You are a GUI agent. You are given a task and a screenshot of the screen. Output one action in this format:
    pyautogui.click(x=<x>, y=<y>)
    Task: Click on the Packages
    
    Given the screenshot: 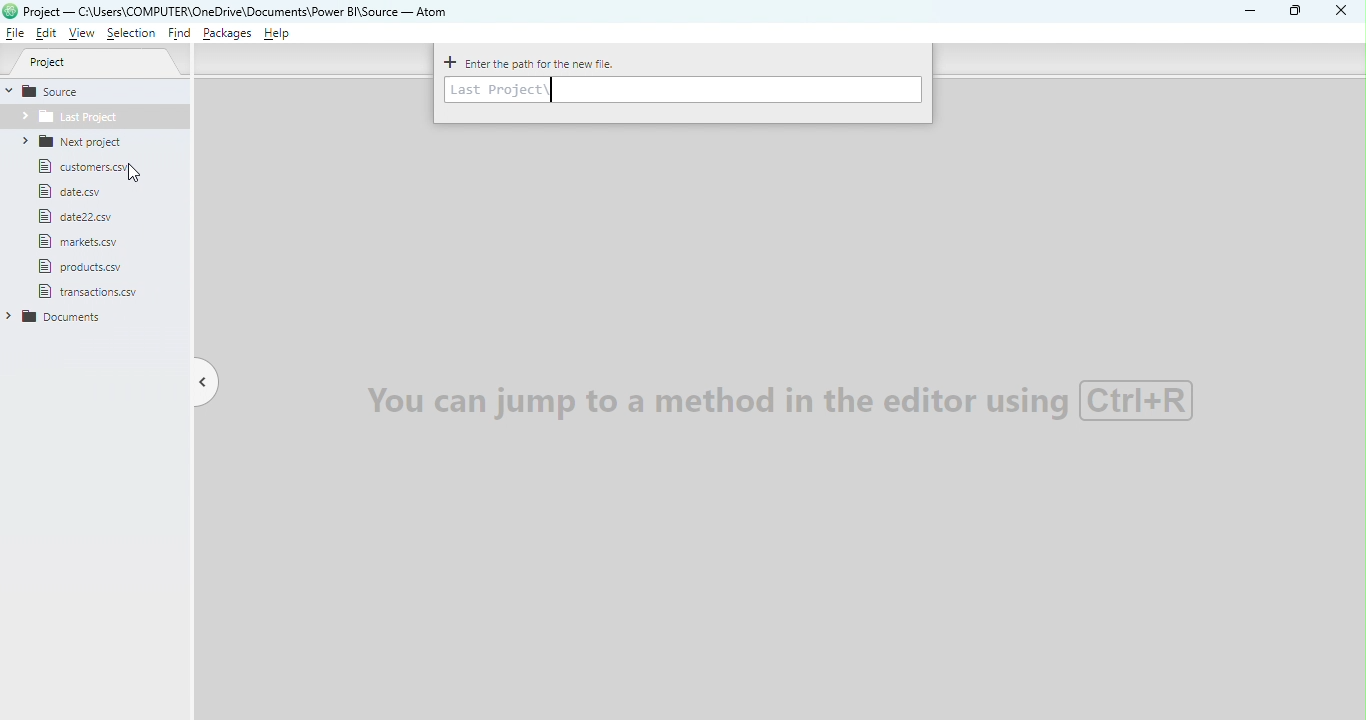 What is the action you would take?
    pyautogui.click(x=229, y=33)
    